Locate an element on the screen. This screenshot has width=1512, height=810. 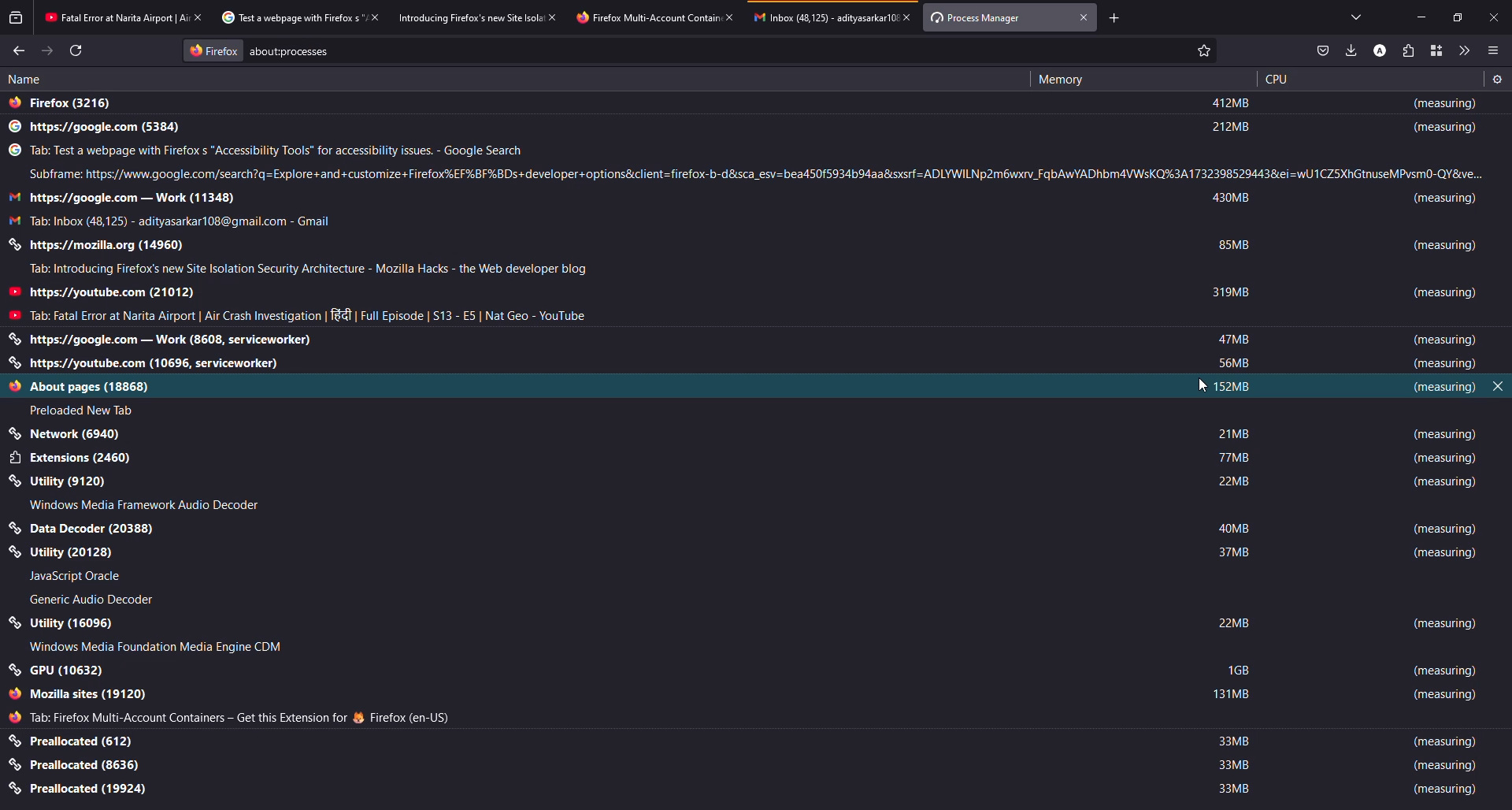
more tools is located at coordinates (1462, 51).